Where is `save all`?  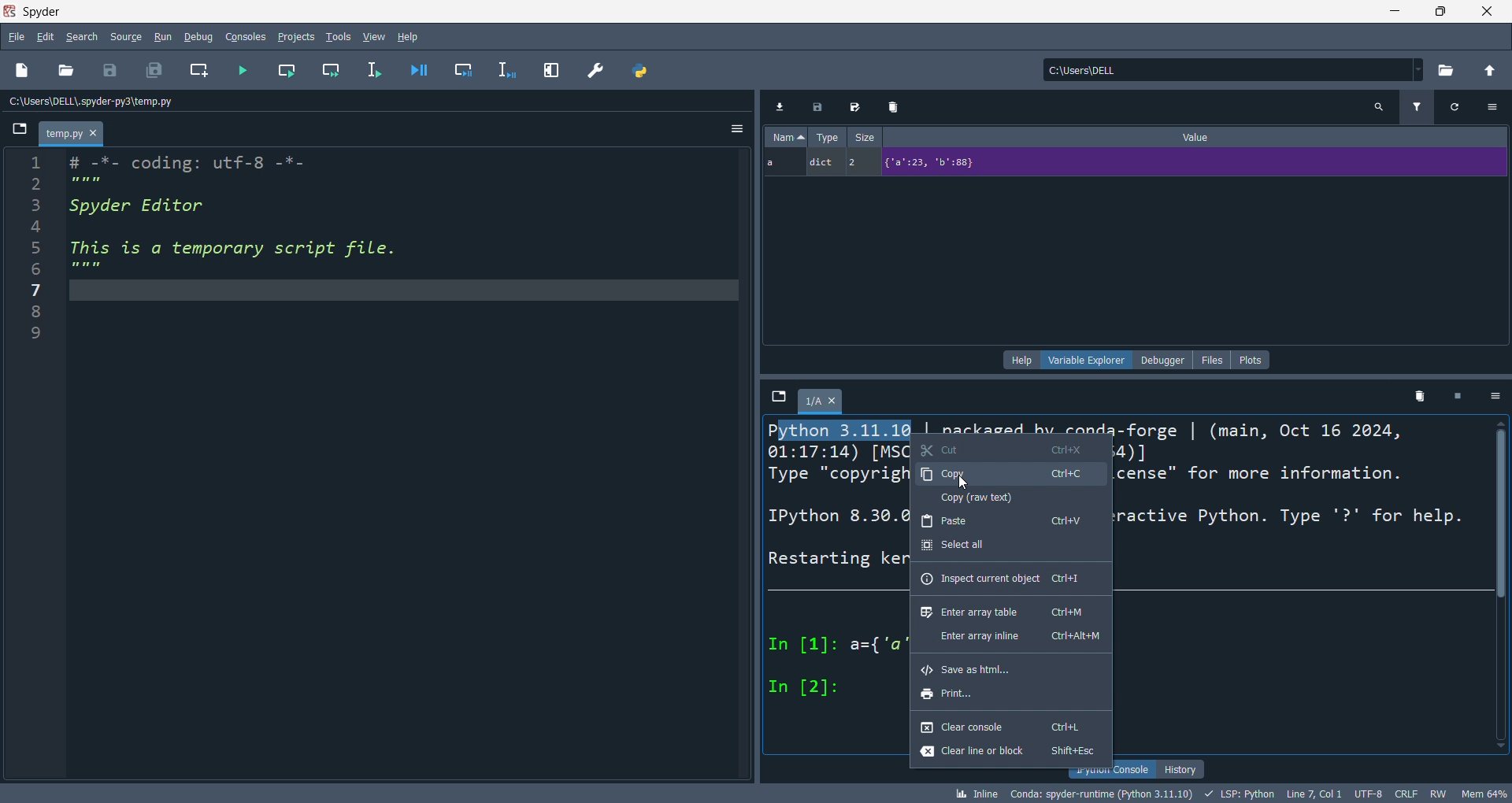 save all is located at coordinates (154, 68).